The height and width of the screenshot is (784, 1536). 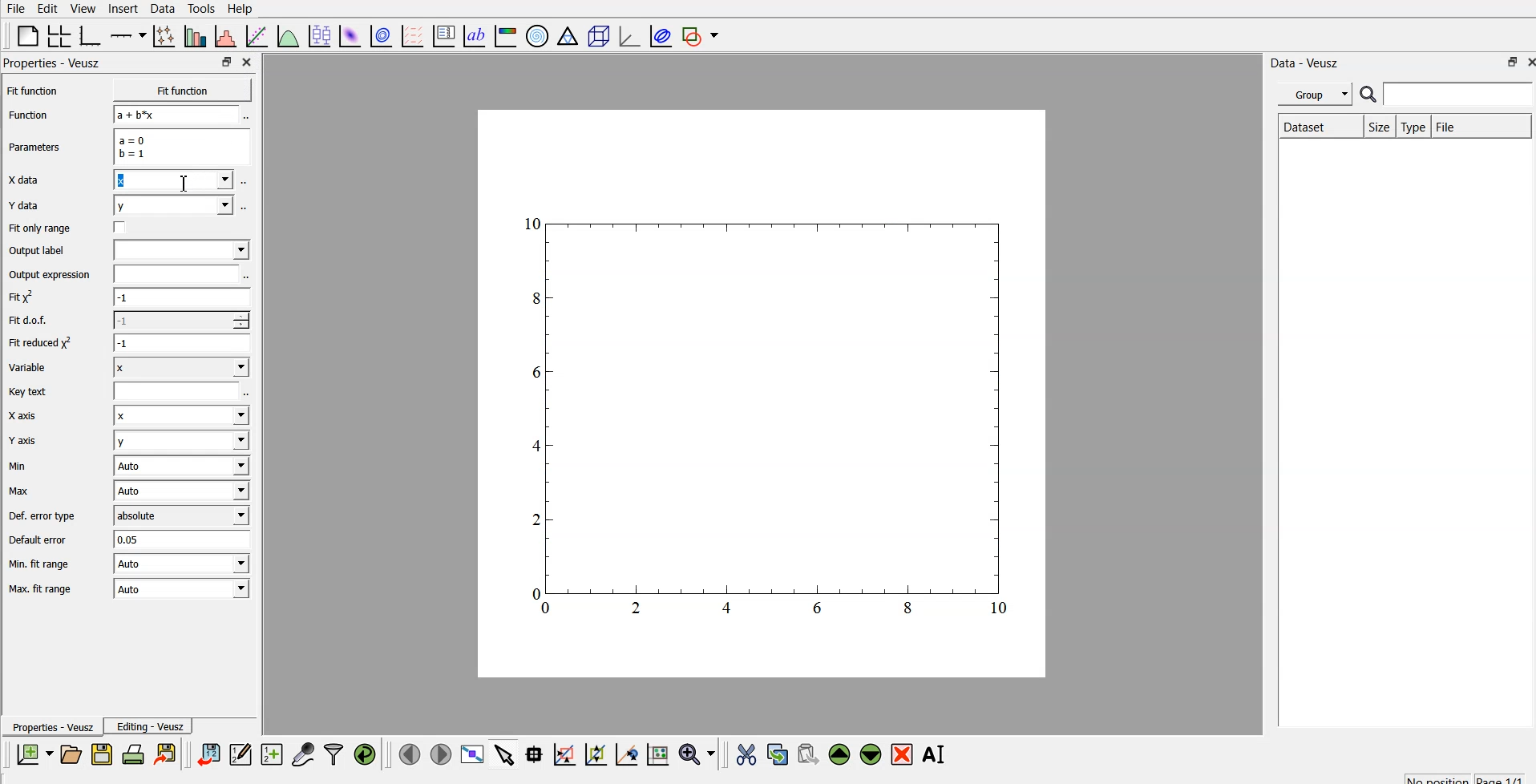 What do you see at coordinates (38, 298) in the screenshot?
I see `fit y^2` at bounding box center [38, 298].